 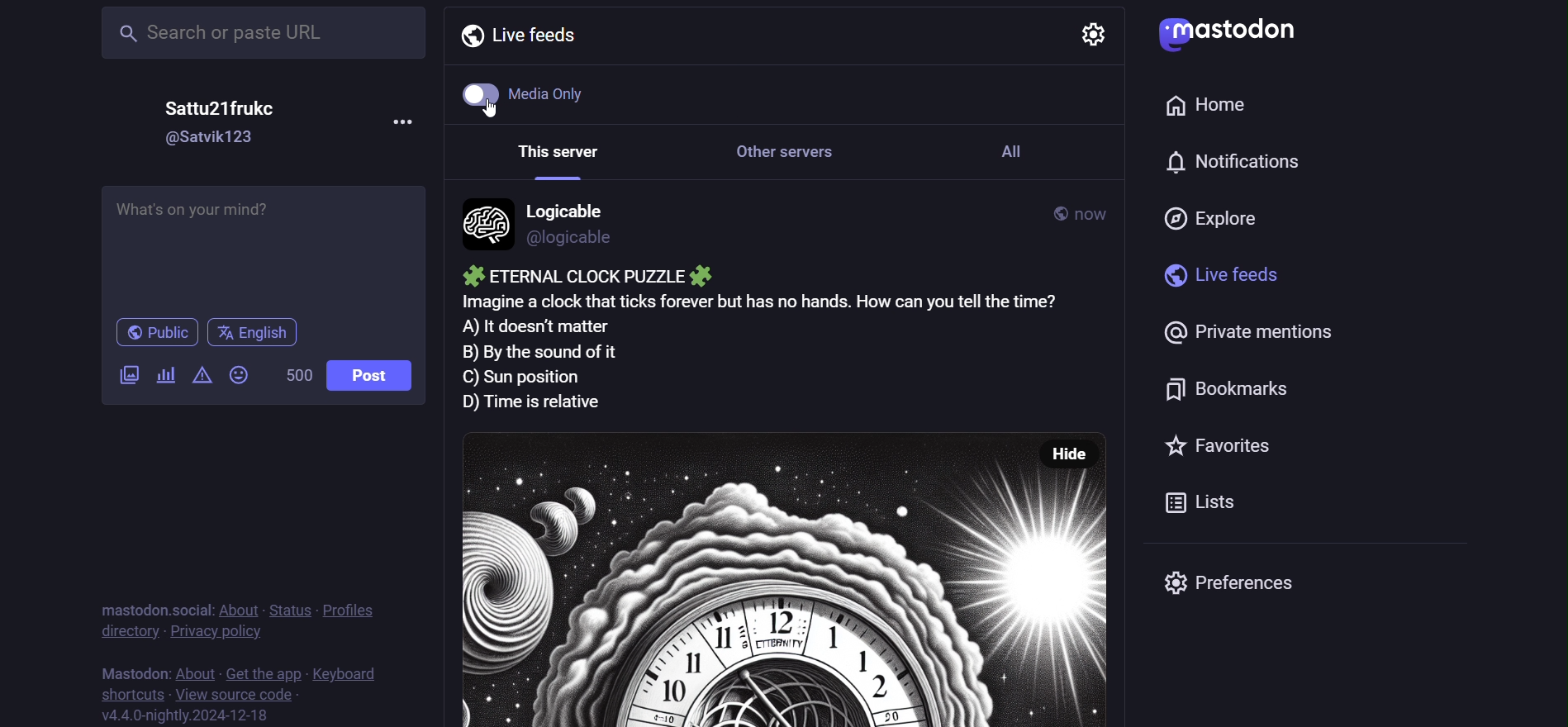 What do you see at coordinates (152, 670) in the screenshot?
I see `mastodon social` at bounding box center [152, 670].